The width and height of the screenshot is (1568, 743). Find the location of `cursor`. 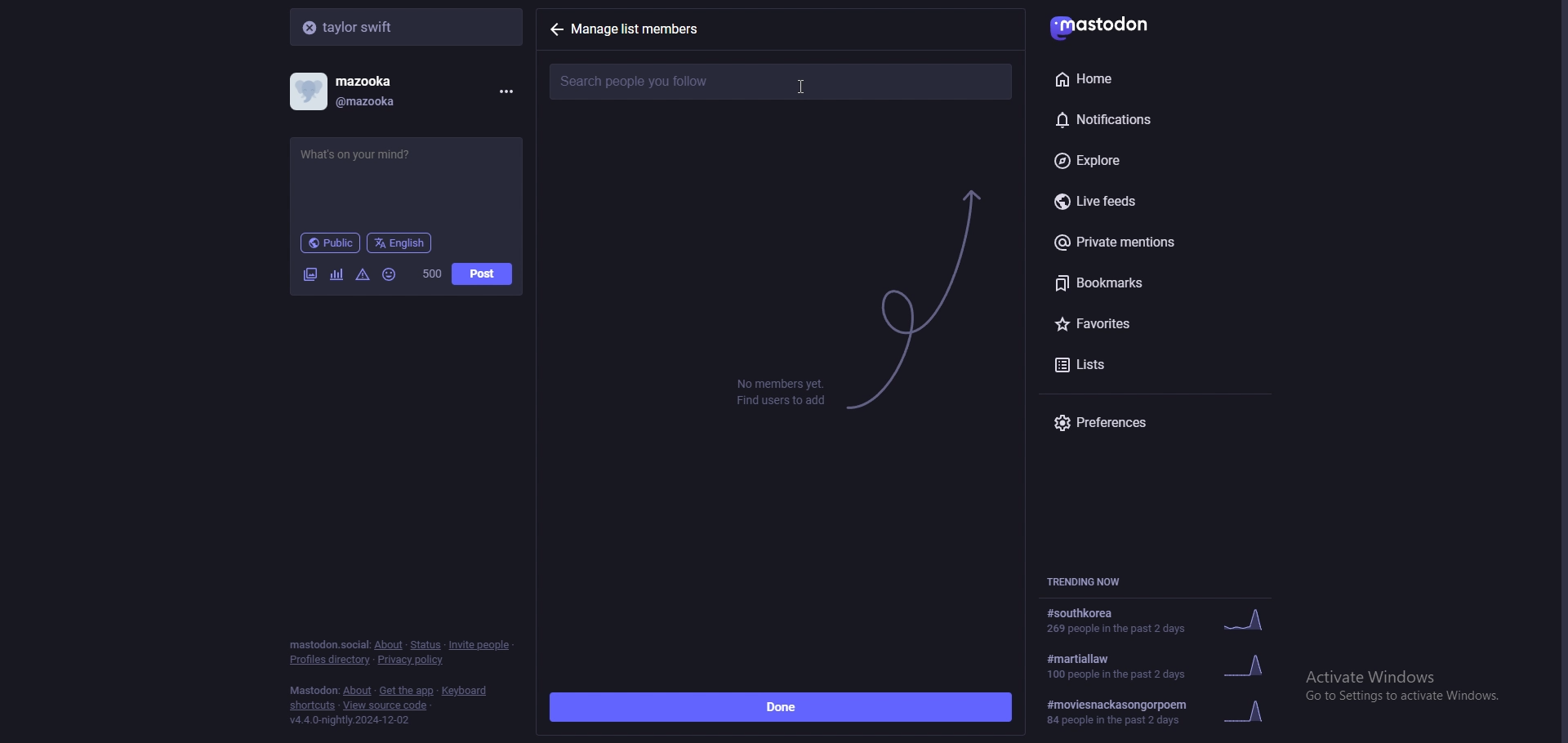

cursor is located at coordinates (800, 87).